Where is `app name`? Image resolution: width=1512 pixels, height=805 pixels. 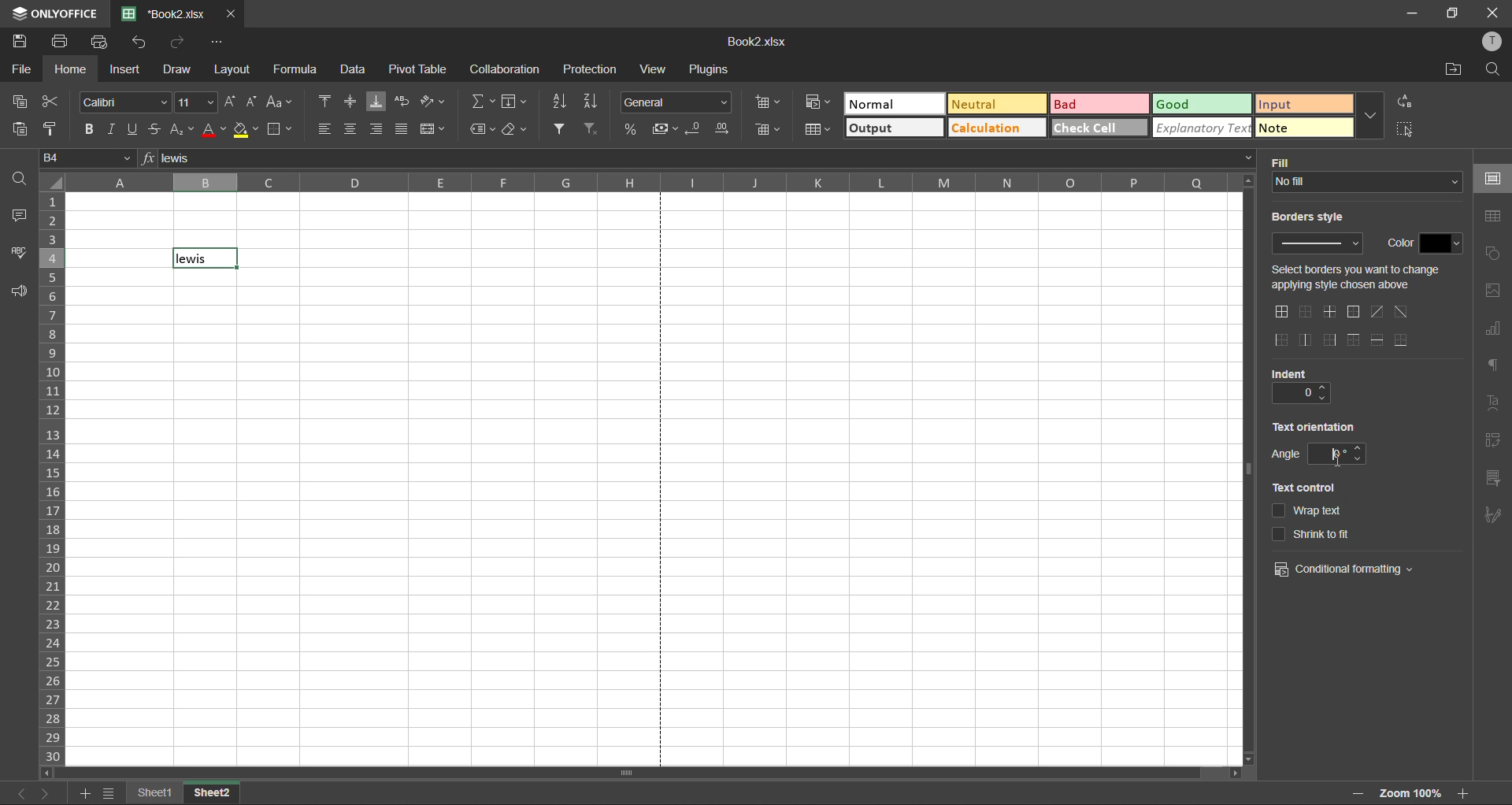
app name is located at coordinates (55, 13).